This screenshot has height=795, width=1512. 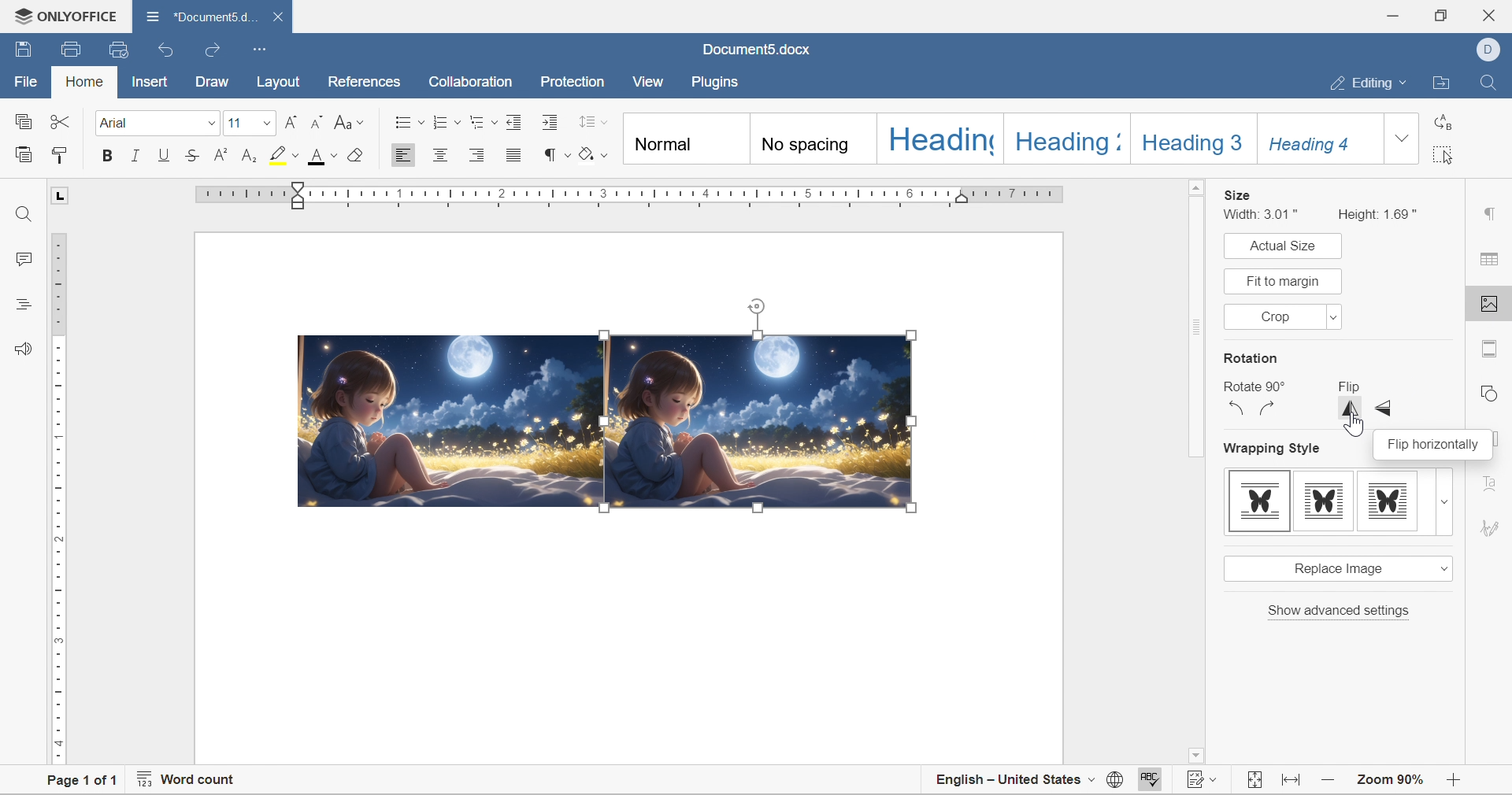 What do you see at coordinates (1441, 568) in the screenshot?
I see `drop down` at bounding box center [1441, 568].